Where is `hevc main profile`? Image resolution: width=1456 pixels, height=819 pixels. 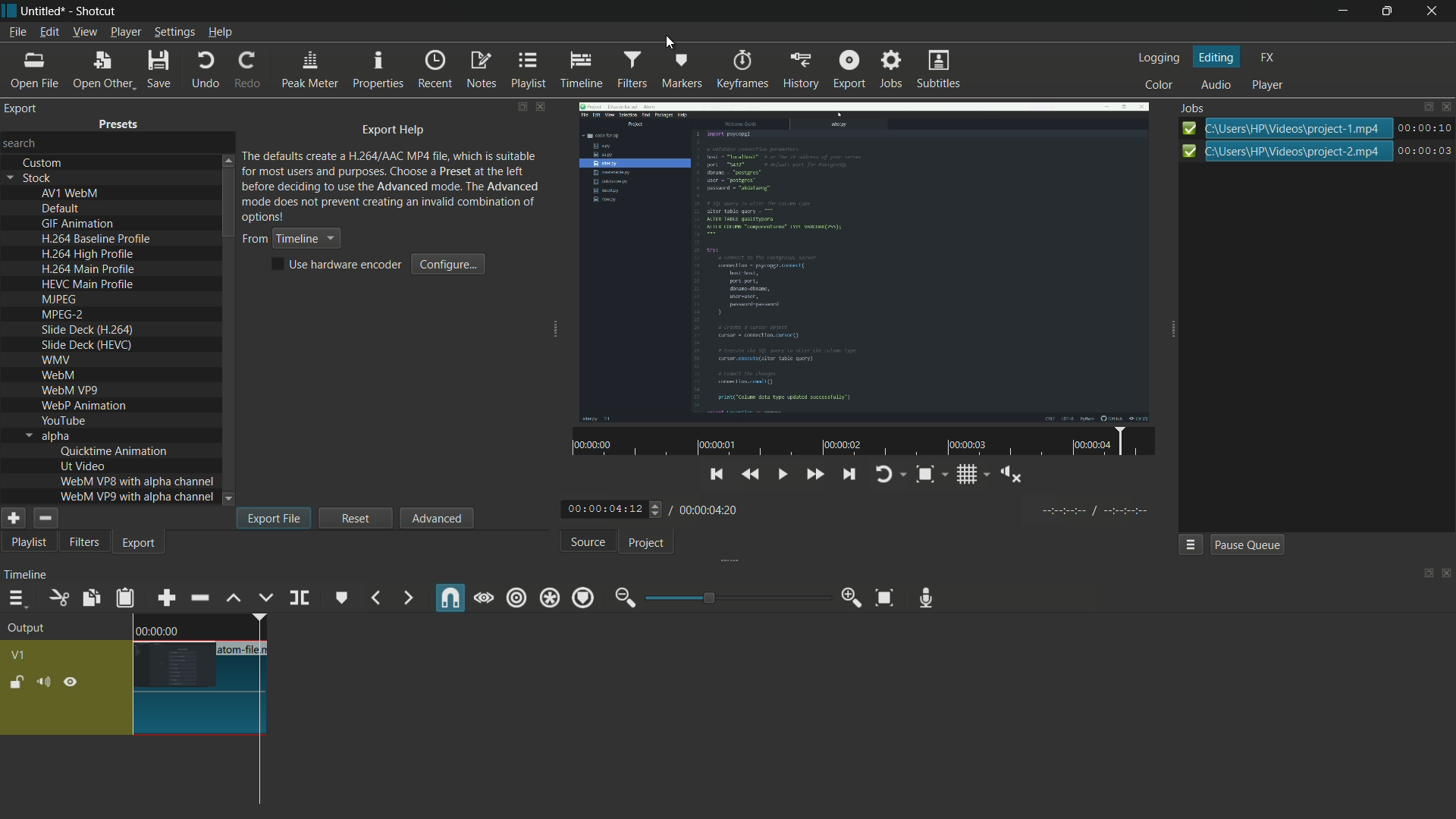
hevc main profile is located at coordinates (89, 286).